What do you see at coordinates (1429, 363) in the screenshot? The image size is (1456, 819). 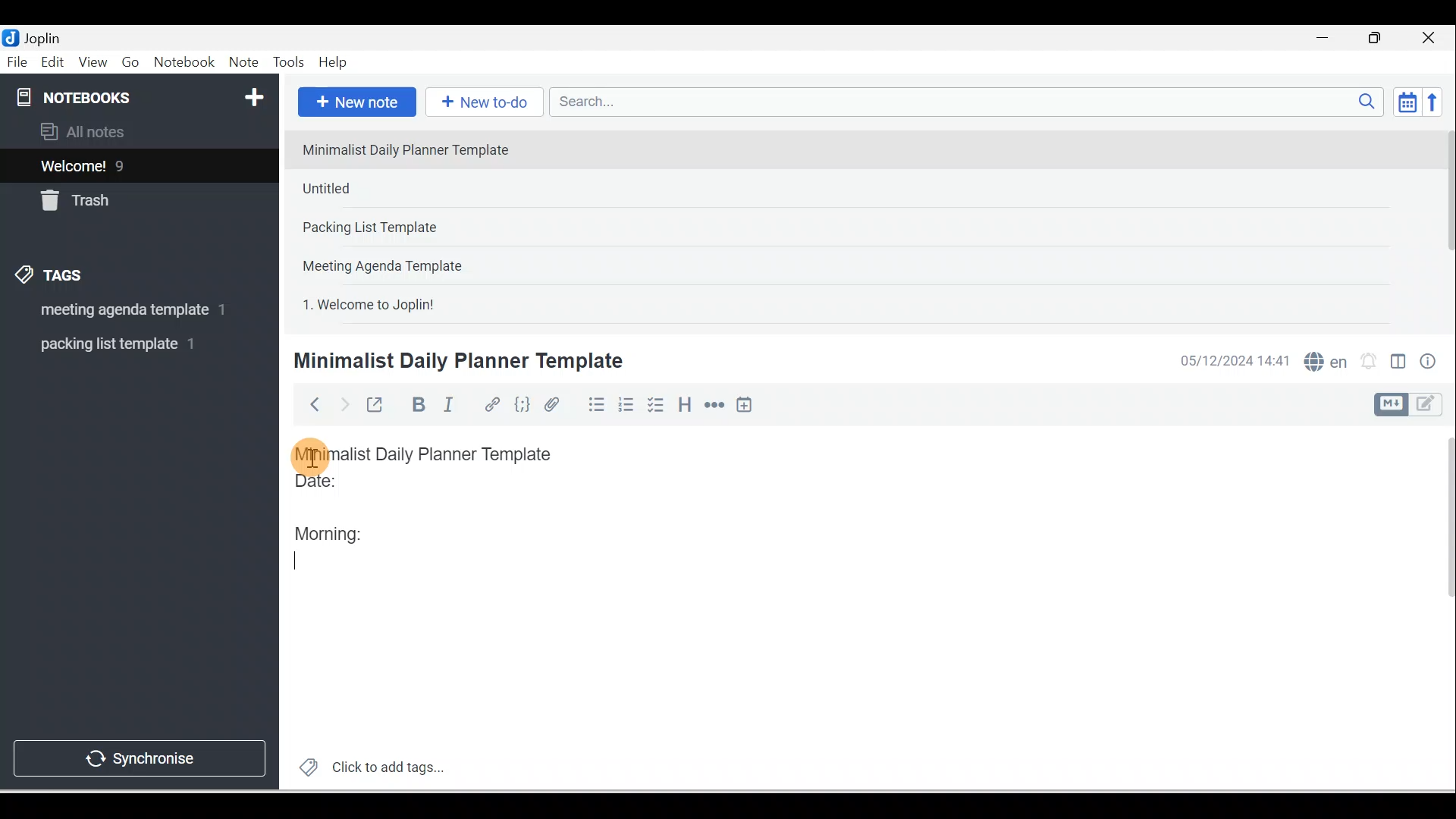 I see `Note properties` at bounding box center [1429, 363].